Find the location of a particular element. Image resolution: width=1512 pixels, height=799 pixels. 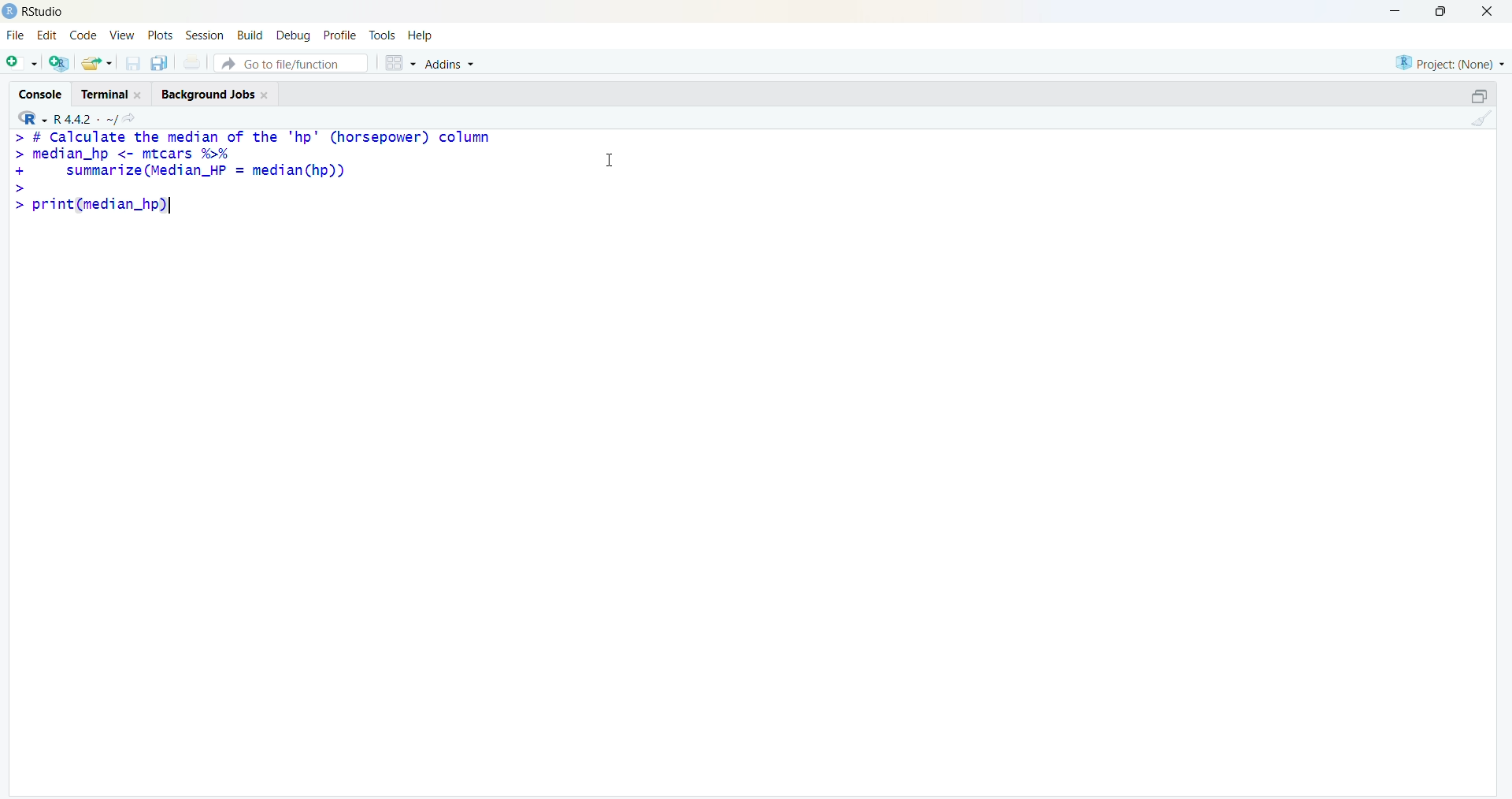

Addins is located at coordinates (450, 63).